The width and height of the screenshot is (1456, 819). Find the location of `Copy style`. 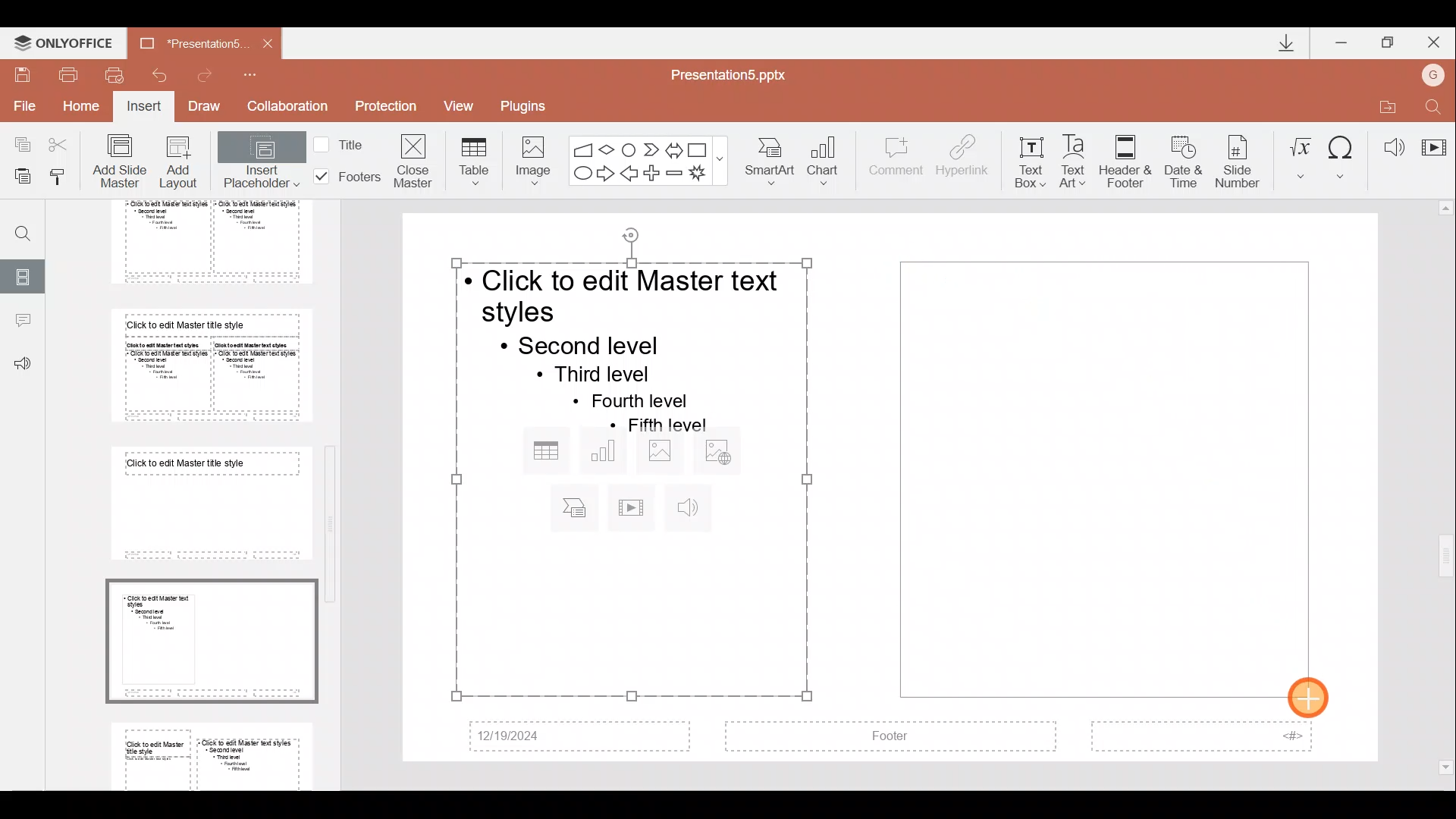

Copy style is located at coordinates (64, 176).